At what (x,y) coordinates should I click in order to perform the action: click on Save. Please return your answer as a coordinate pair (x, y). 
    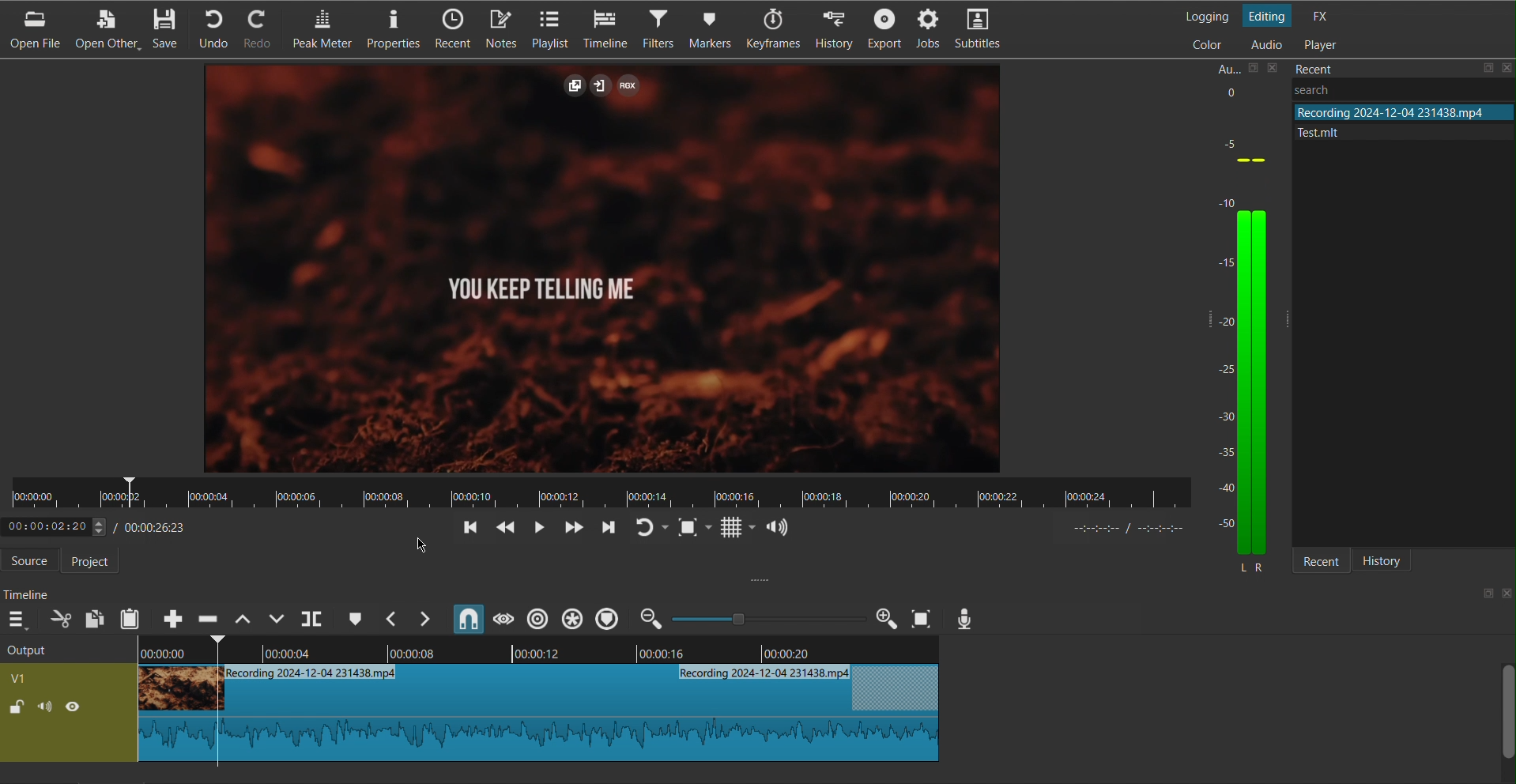
    Looking at the image, I should click on (169, 28).